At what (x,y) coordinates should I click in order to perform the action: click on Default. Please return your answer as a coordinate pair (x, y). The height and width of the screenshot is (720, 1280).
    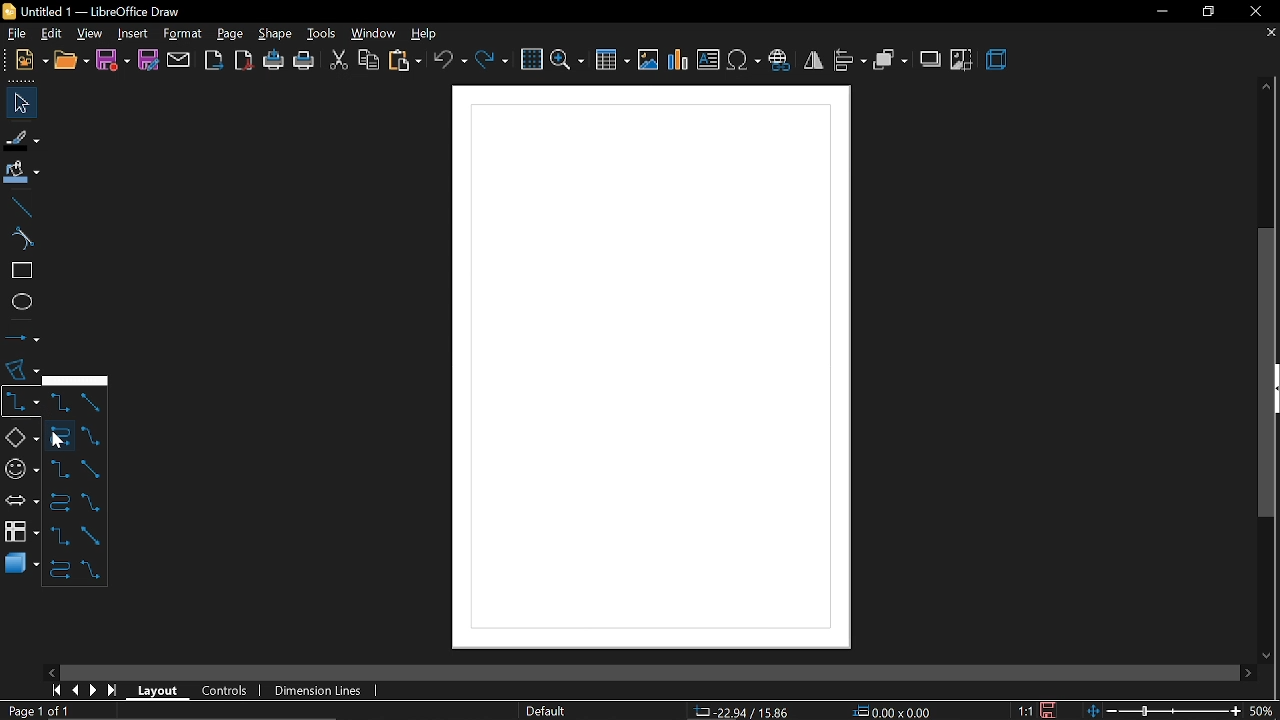
    Looking at the image, I should click on (546, 712).